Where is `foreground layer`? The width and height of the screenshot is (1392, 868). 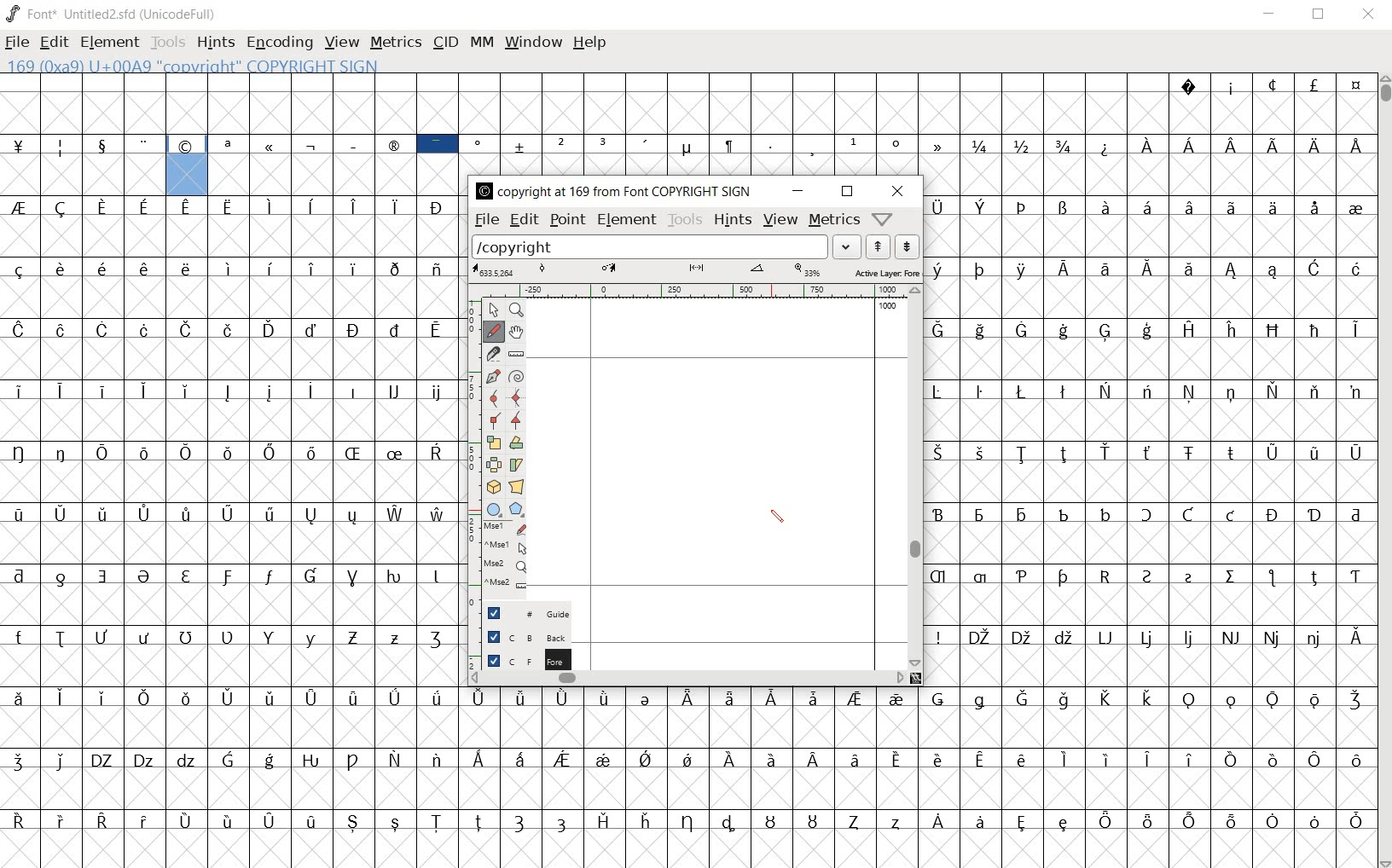 foreground layer is located at coordinates (519, 660).